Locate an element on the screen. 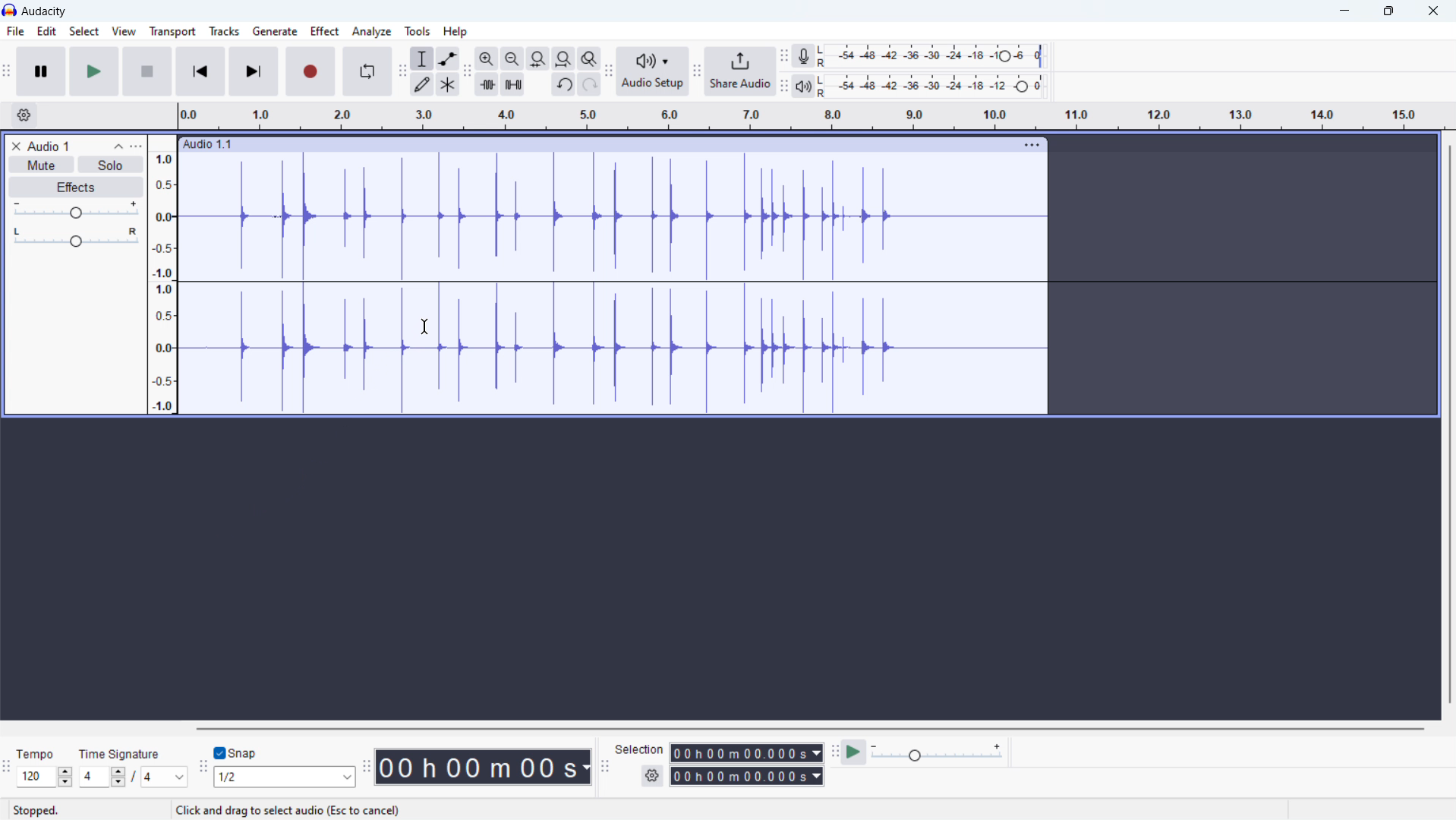  share audio  is located at coordinates (740, 71).